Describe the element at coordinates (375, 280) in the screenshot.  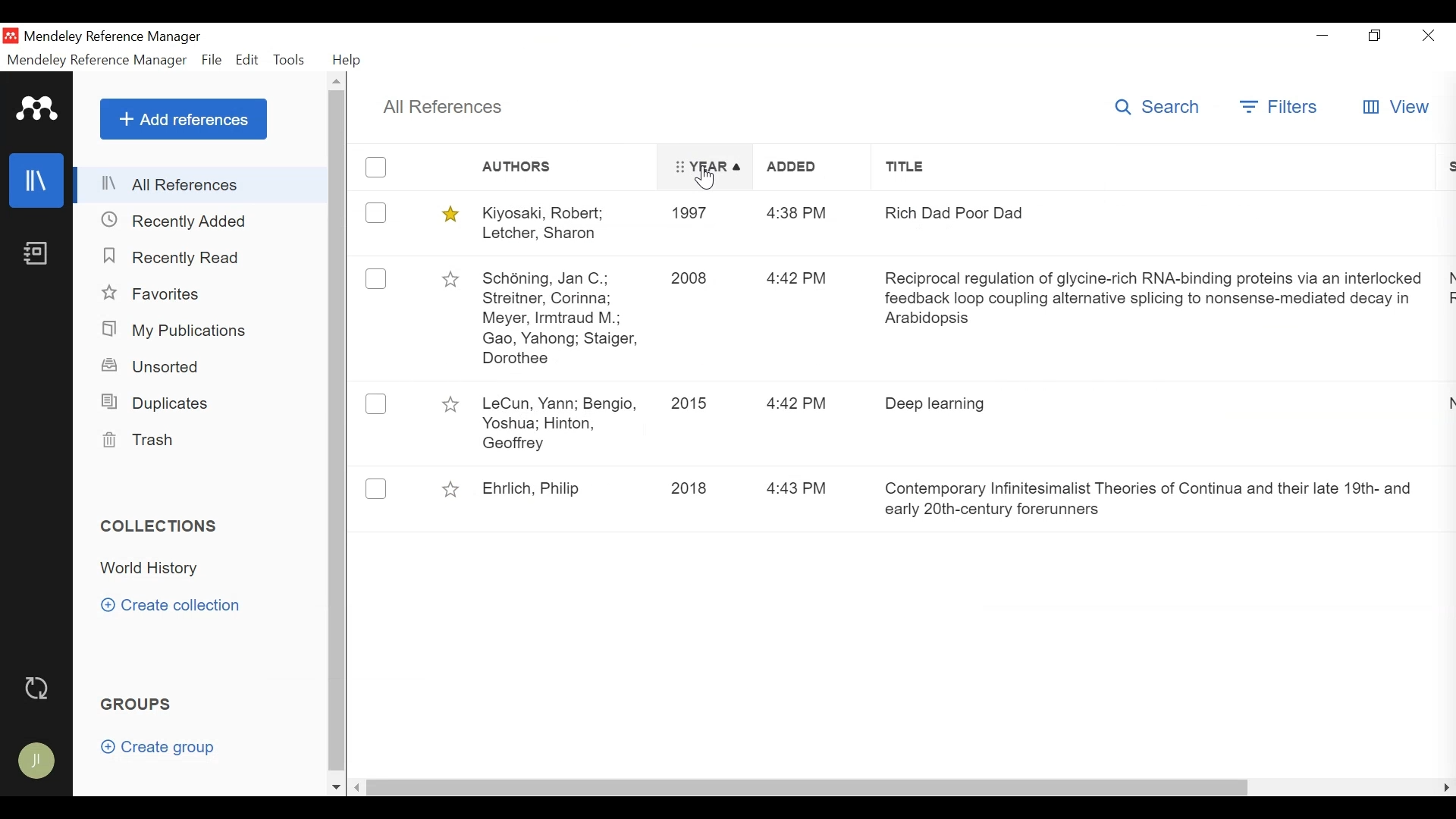
I see `(un)Select` at that location.